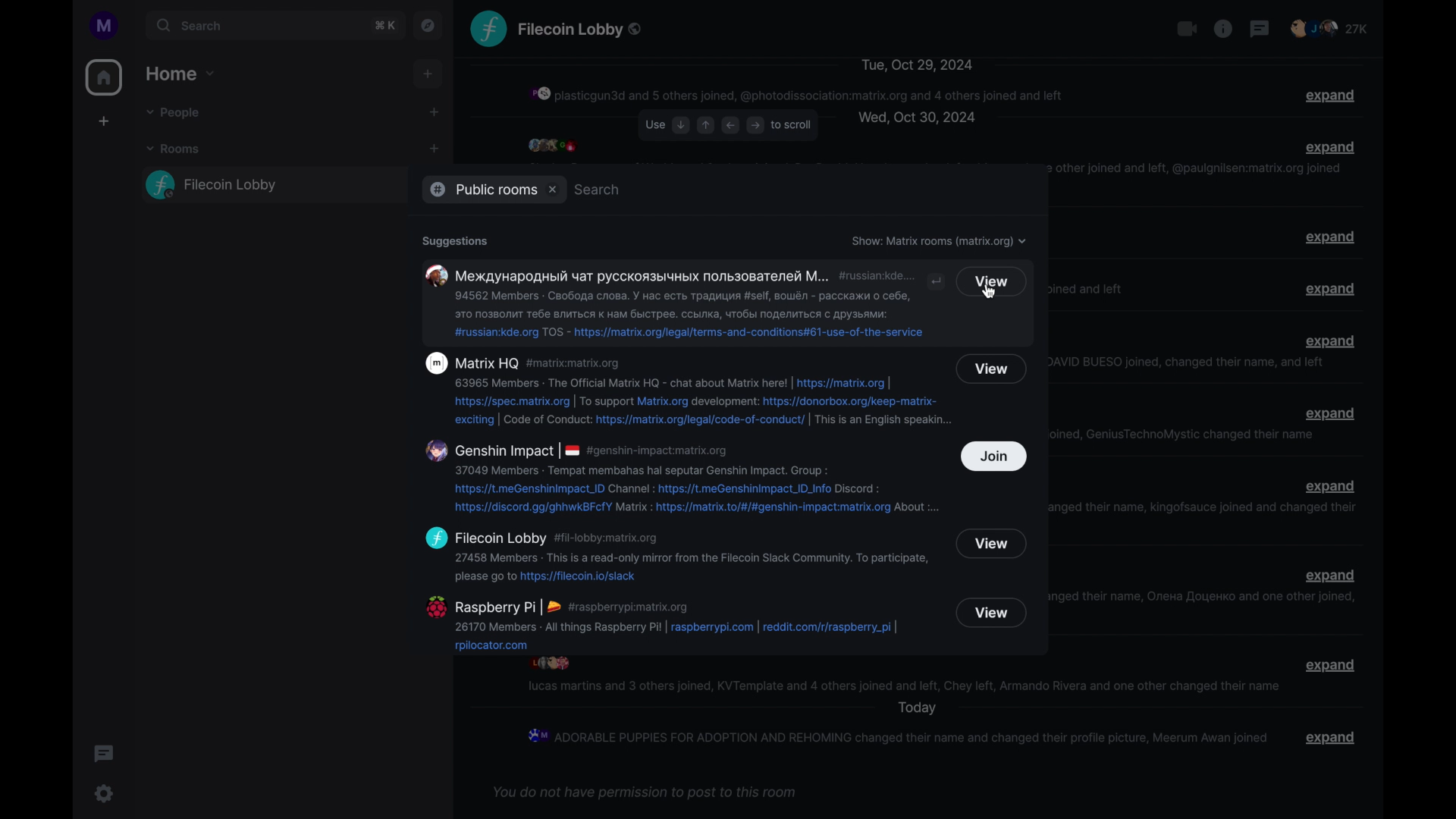  What do you see at coordinates (105, 77) in the screenshot?
I see `home` at bounding box center [105, 77].